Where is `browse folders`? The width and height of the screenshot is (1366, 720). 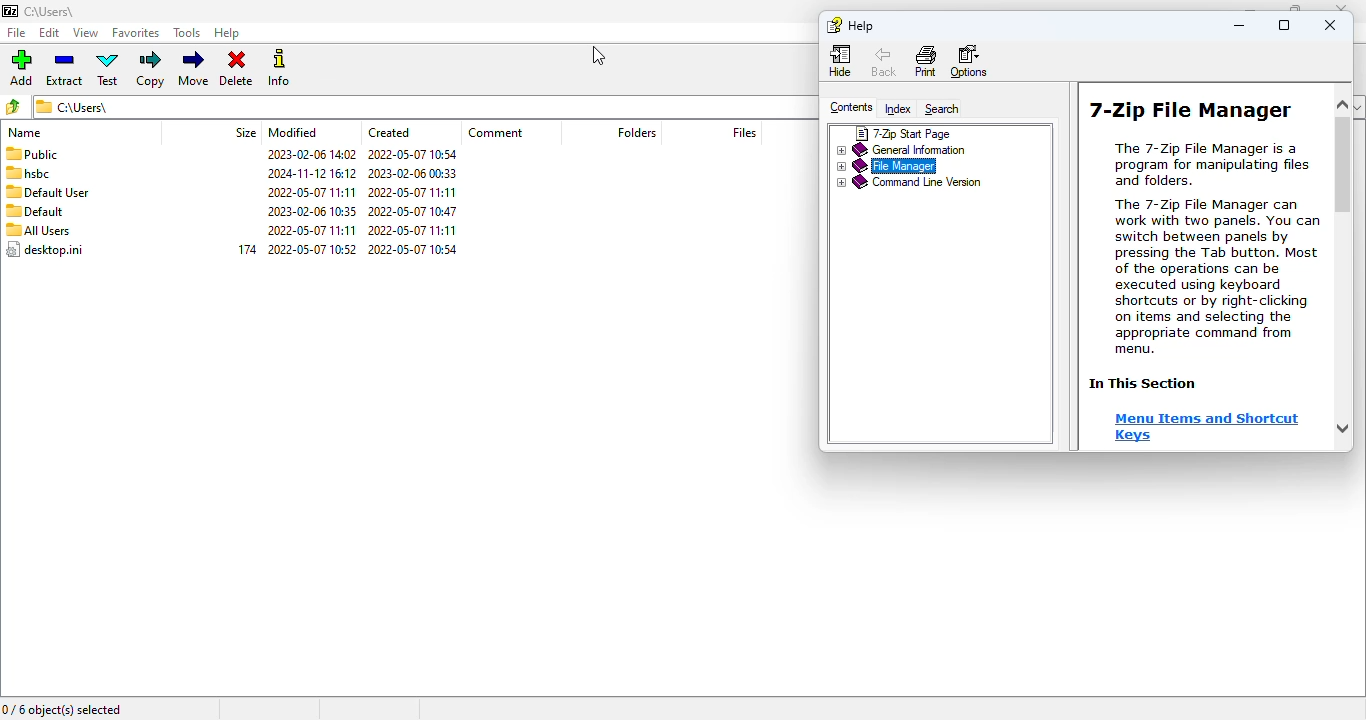
browse folders is located at coordinates (13, 107).